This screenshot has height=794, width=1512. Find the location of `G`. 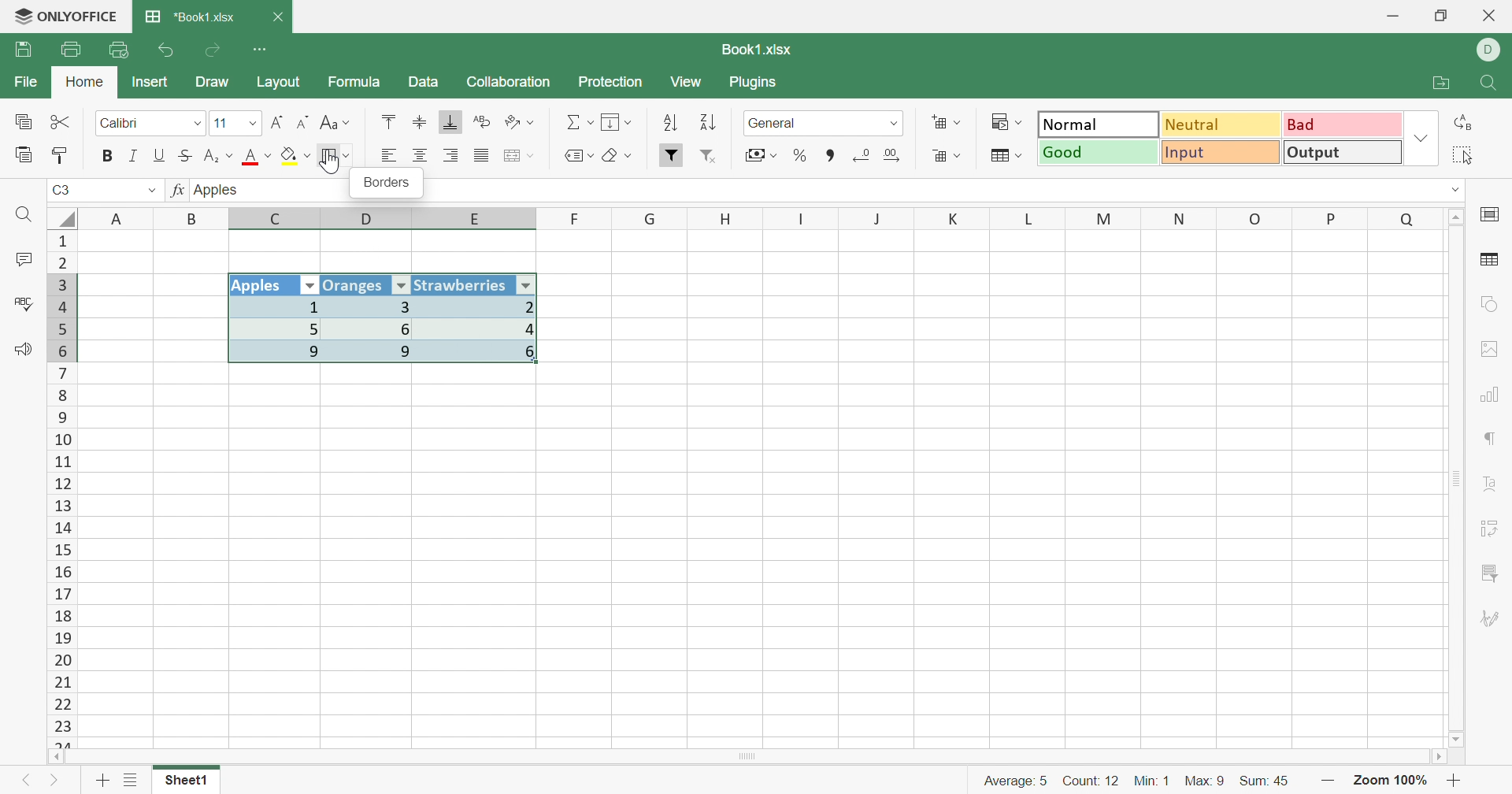

G is located at coordinates (651, 218).